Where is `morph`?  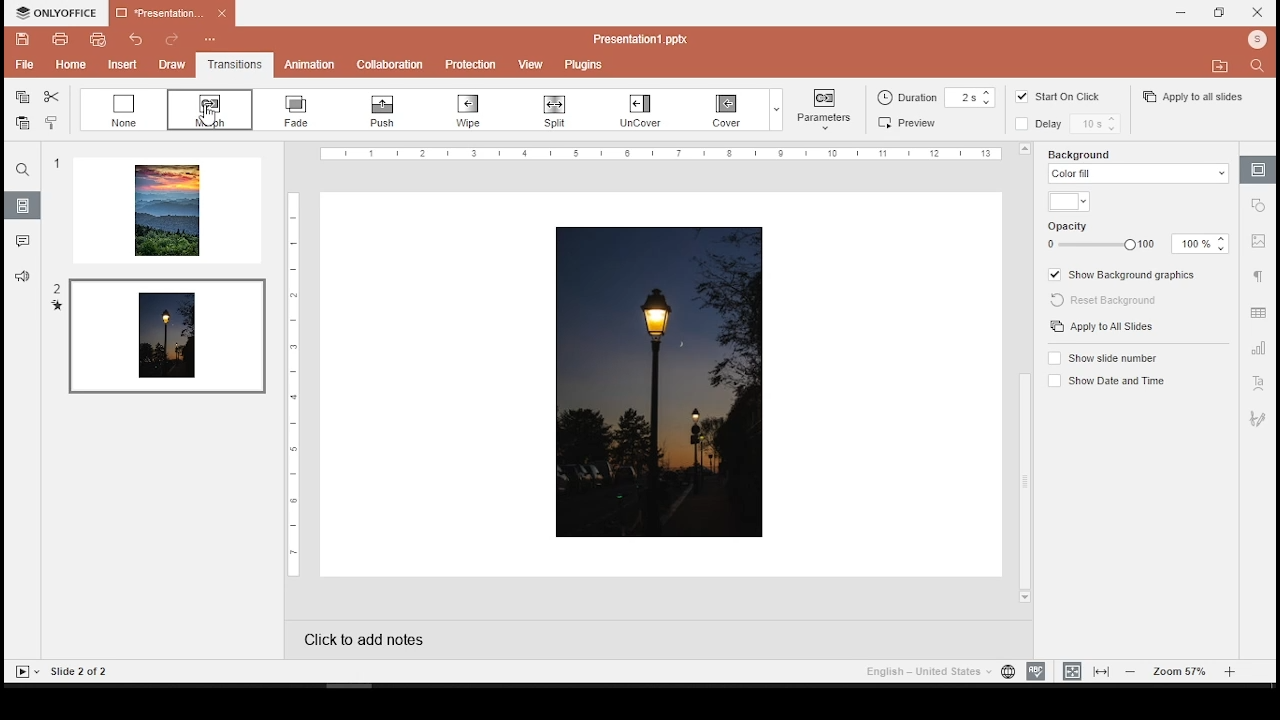 morph is located at coordinates (207, 111).